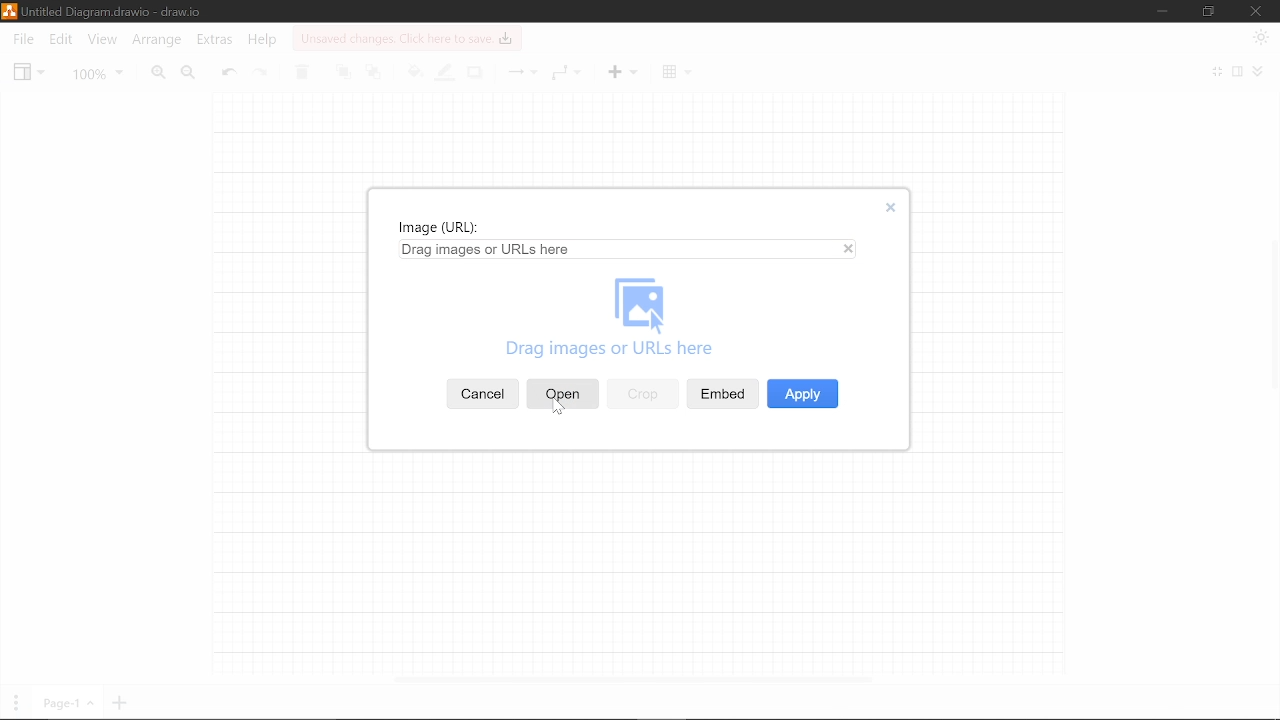 This screenshot has width=1280, height=720. I want to click on Crop, so click(643, 394).